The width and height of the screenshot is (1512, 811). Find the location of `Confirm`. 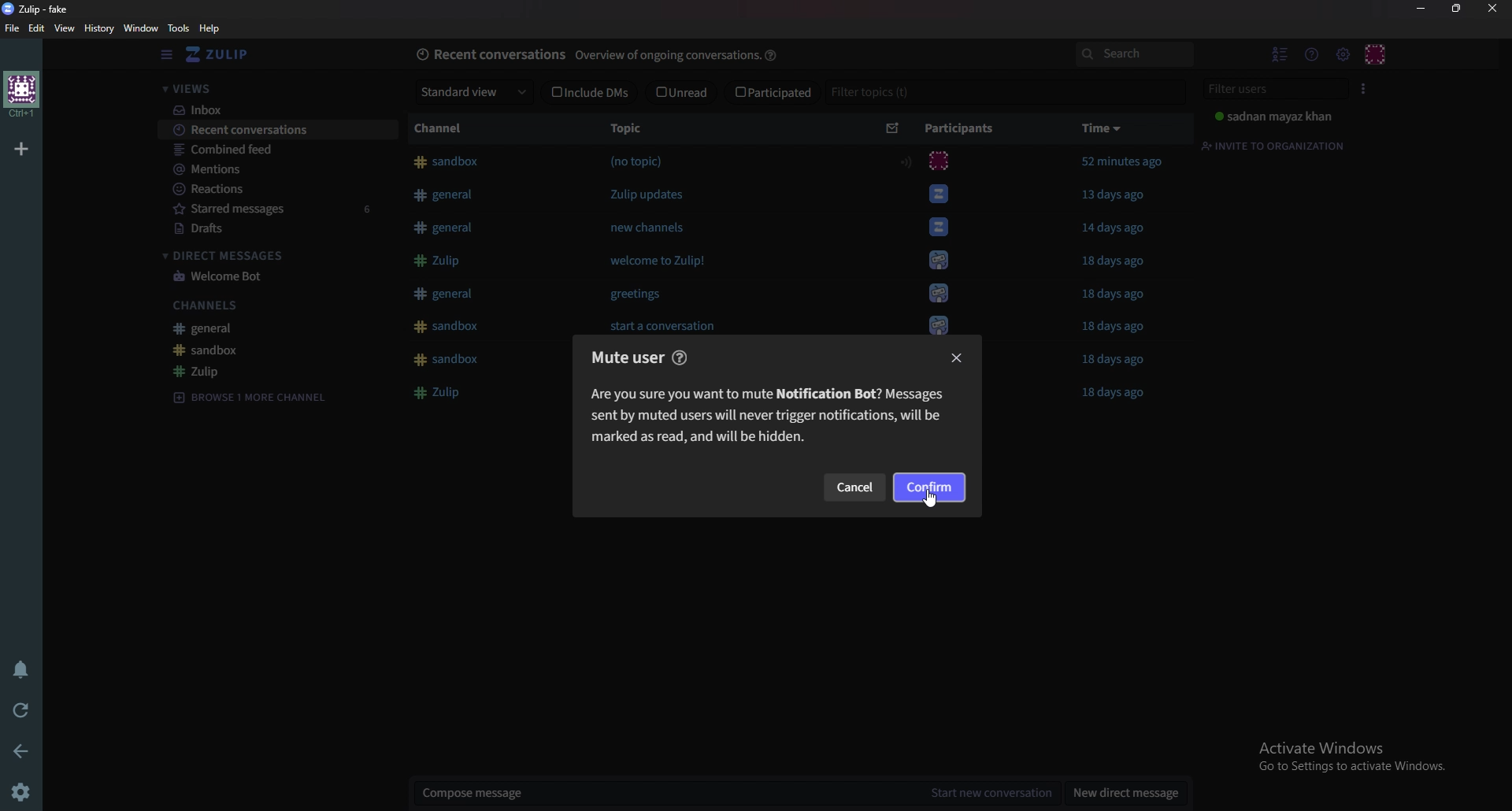

Confirm is located at coordinates (929, 488).